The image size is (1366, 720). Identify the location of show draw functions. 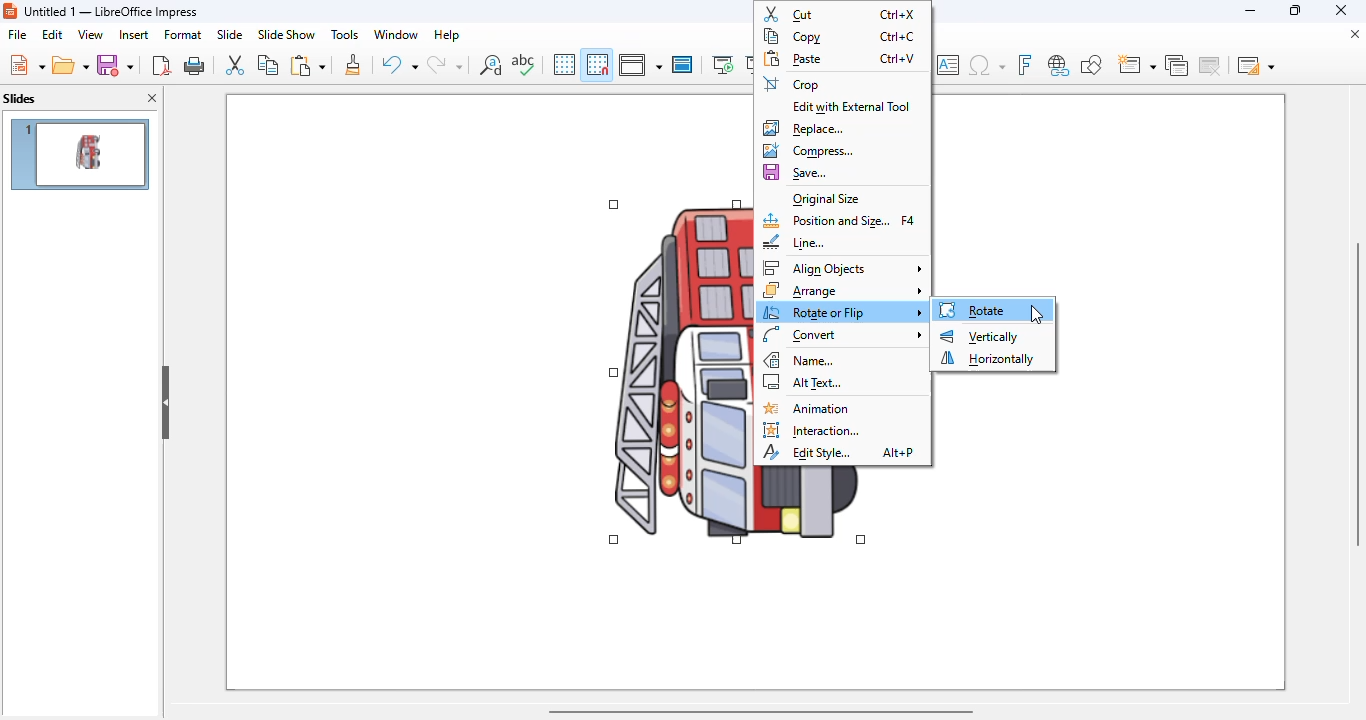
(1092, 65).